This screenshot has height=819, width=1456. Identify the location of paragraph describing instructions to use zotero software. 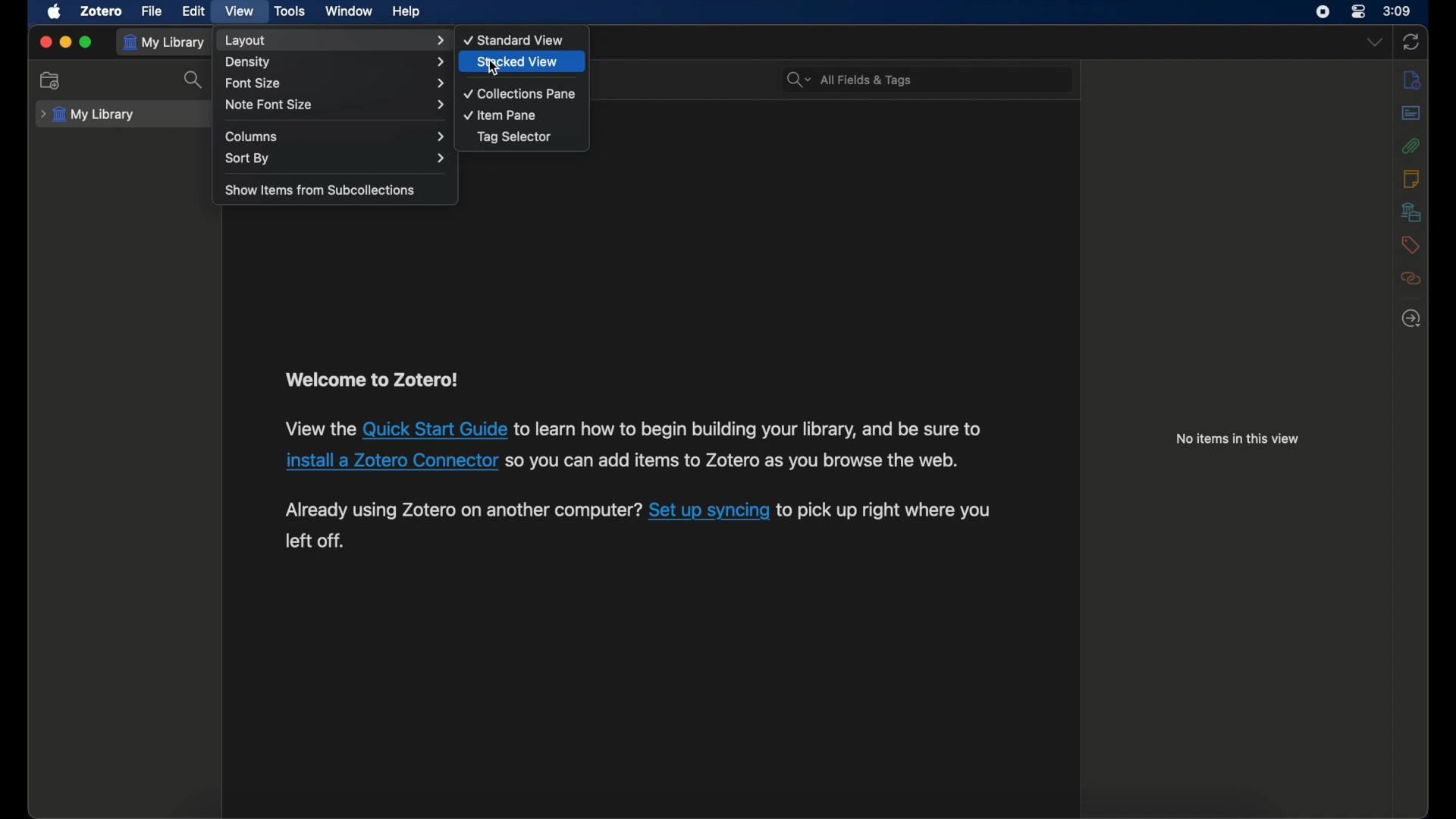
(639, 460).